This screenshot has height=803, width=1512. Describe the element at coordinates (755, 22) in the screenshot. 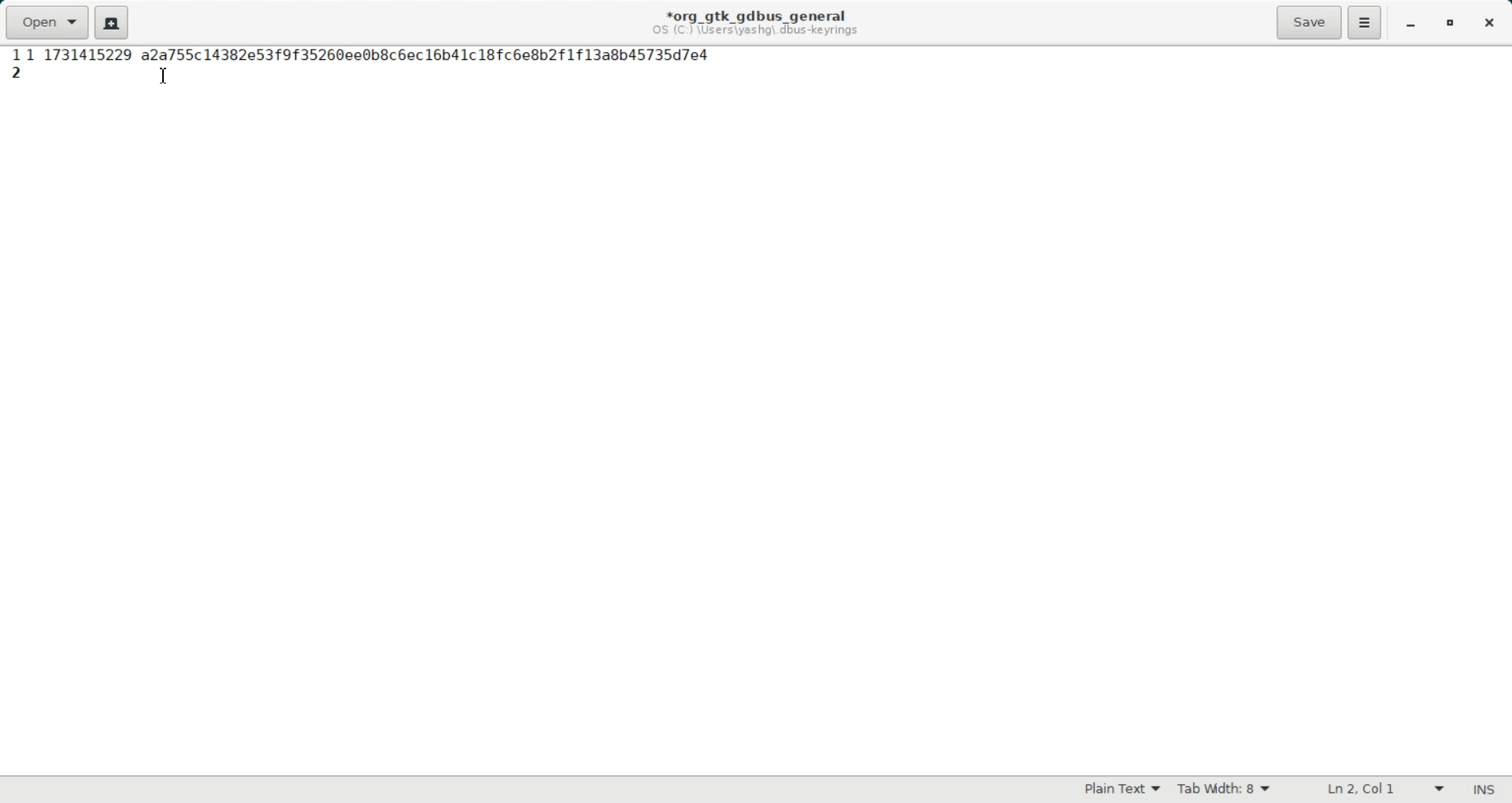

I see `Text information ` at that location.